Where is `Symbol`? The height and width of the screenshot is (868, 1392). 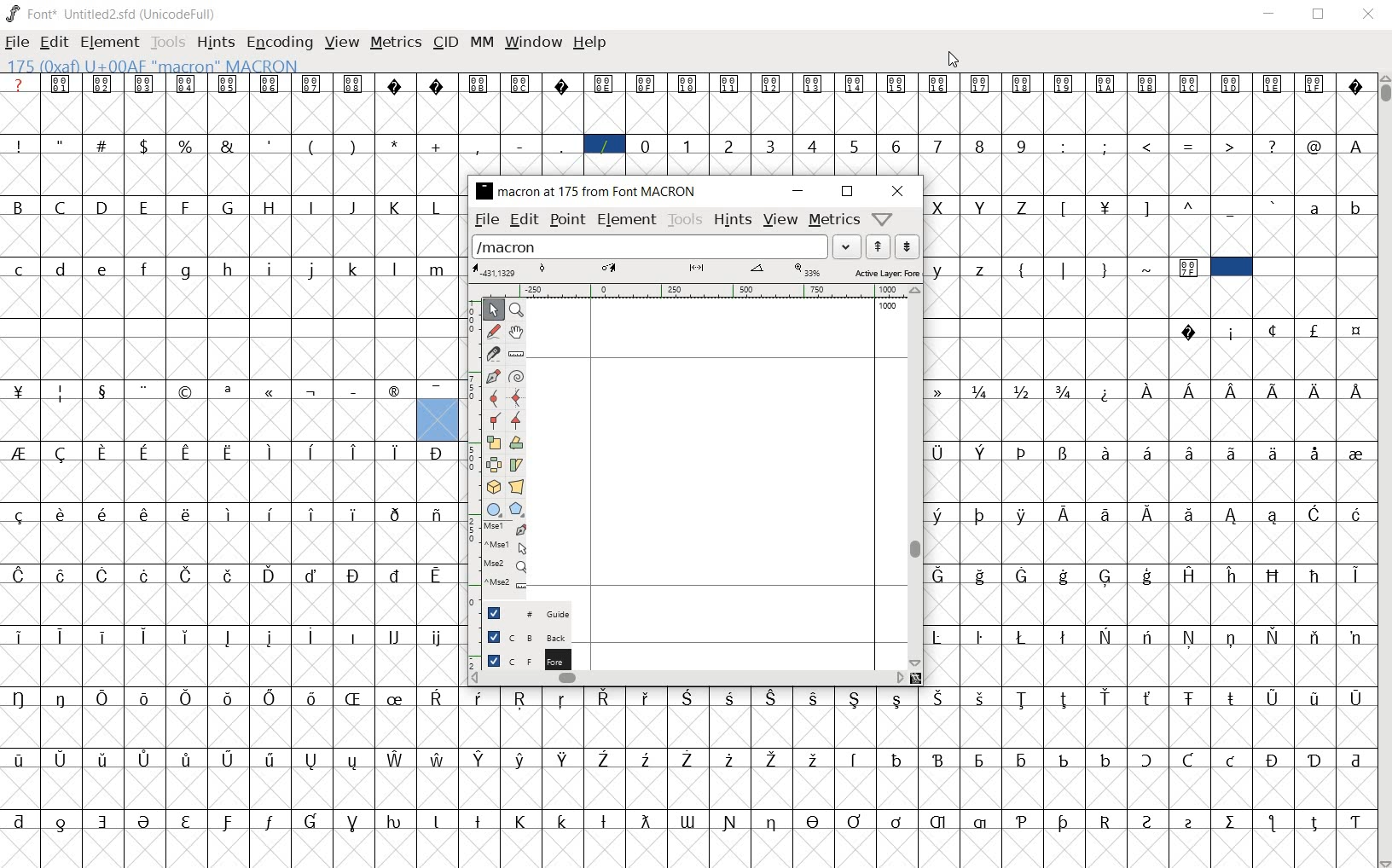
Symbol is located at coordinates (1188, 269).